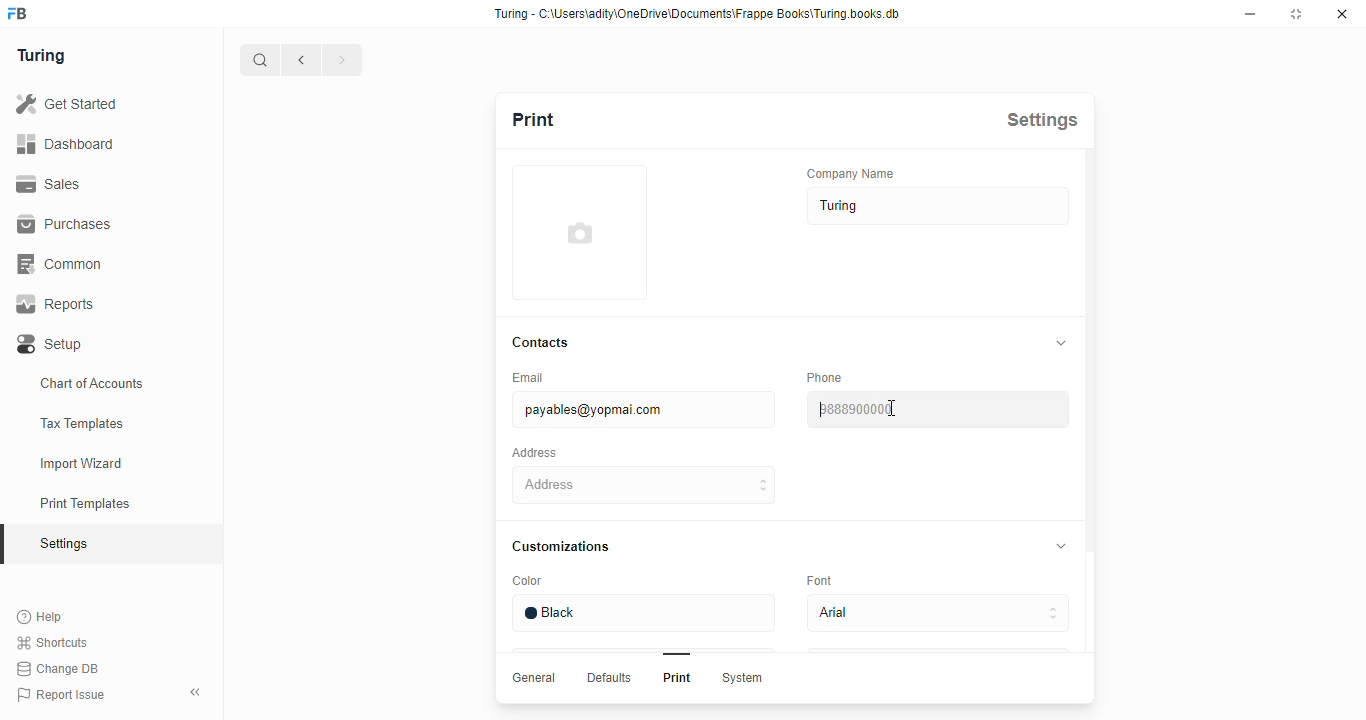 Image resolution: width=1366 pixels, height=720 pixels. Describe the element at coordinates (25, 15) in the screenshot. I see `frappe books logo` at that location.